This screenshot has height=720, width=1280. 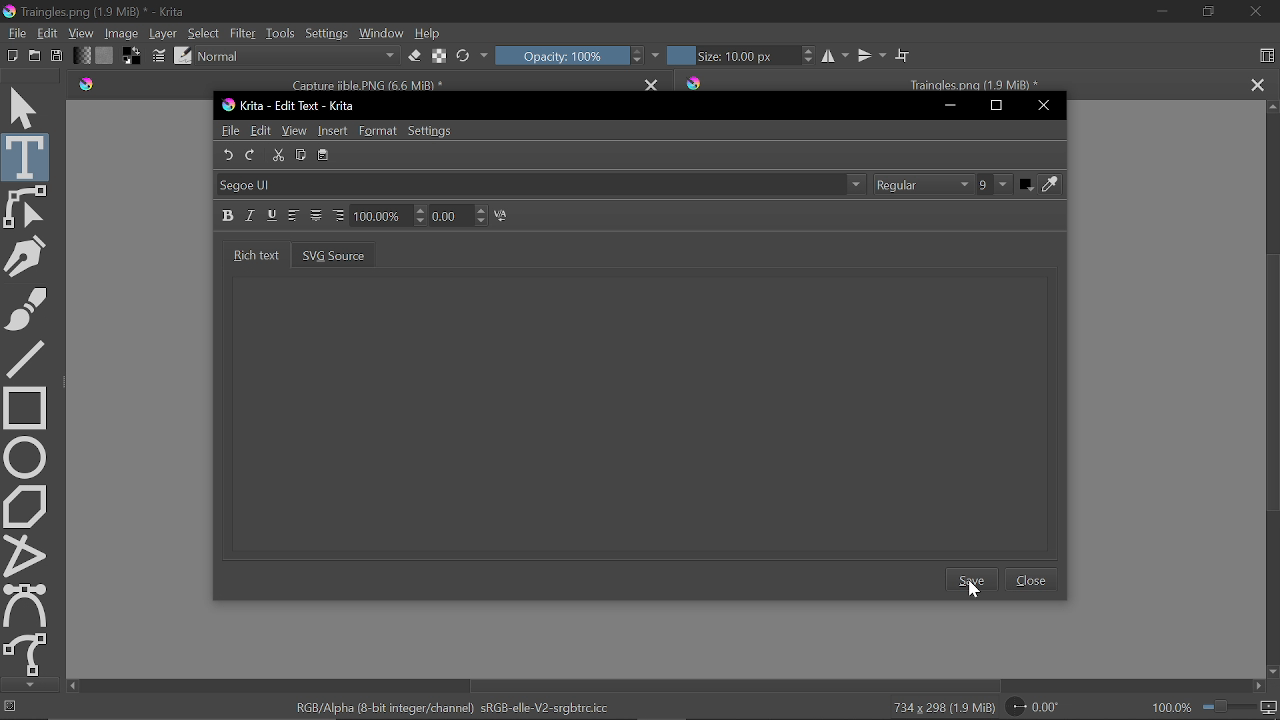 I want to click on choose brush preset, so click(x=182, y=56).